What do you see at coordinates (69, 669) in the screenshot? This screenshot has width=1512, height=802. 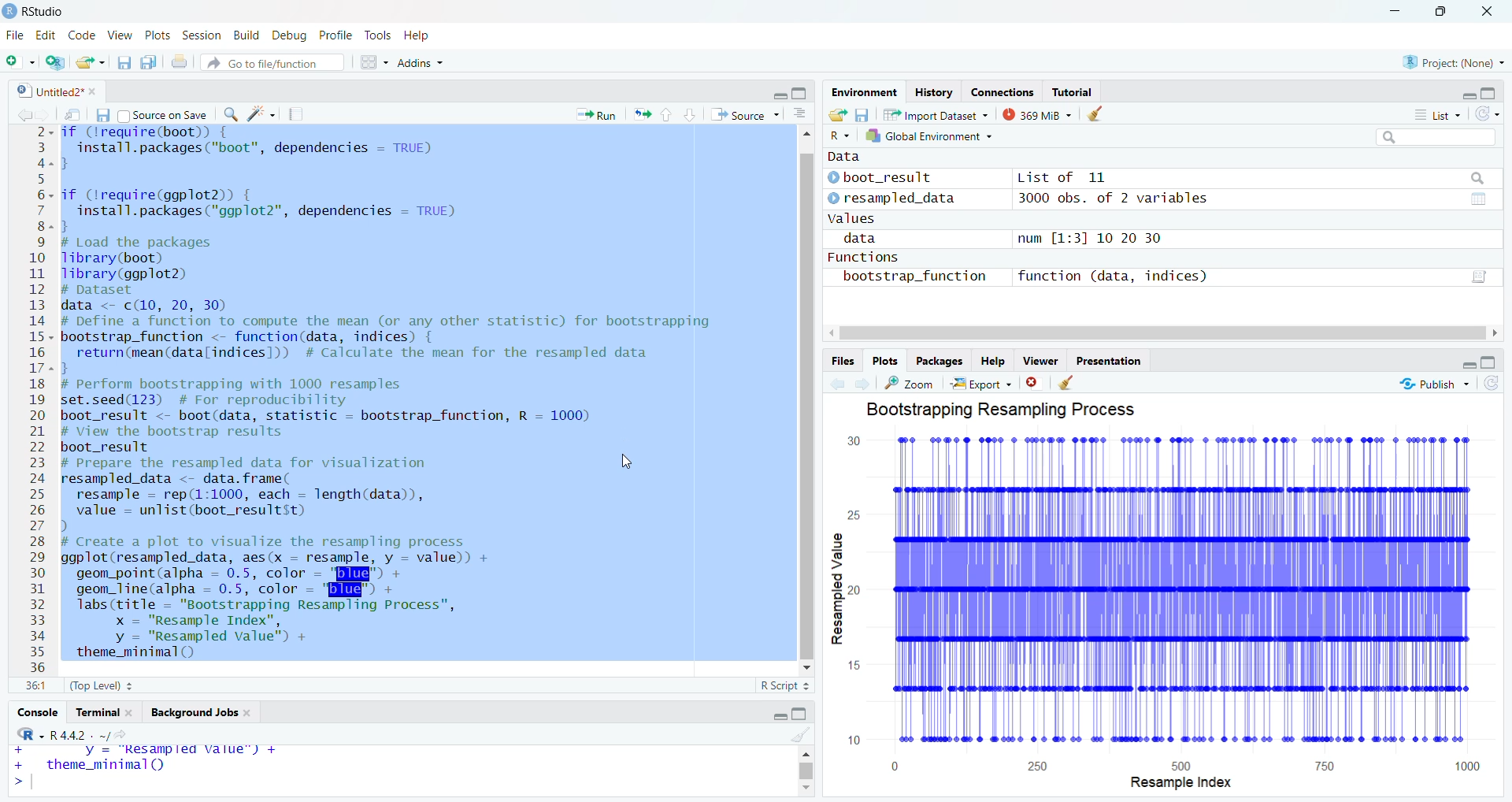 I see `typing cursor` at bounding box center [69, 669].